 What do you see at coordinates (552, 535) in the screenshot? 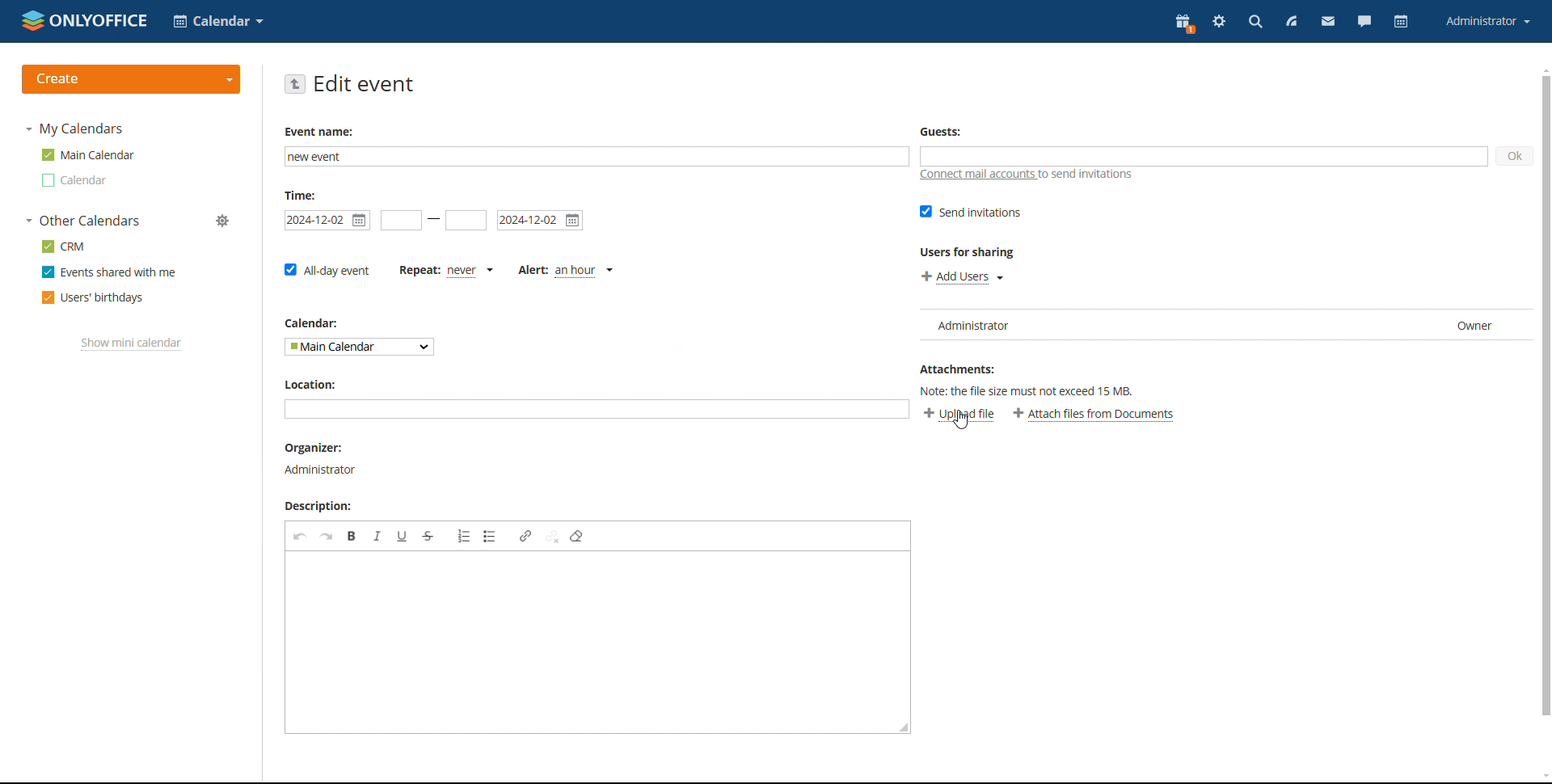
I see `unlink` at bounding box center [552, 535].